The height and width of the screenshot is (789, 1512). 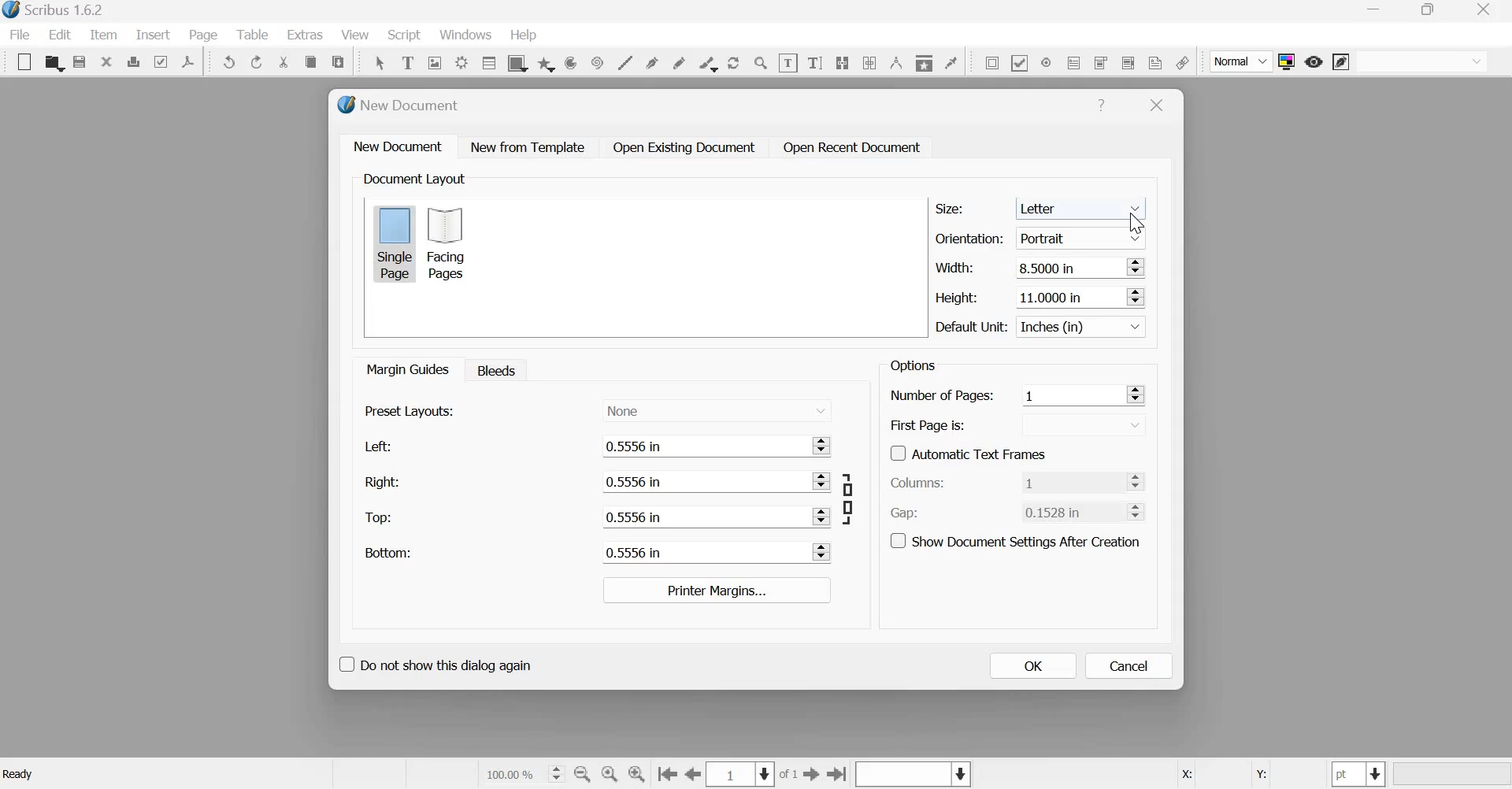 I want to click on Letter, so click(x=1084, y=206).